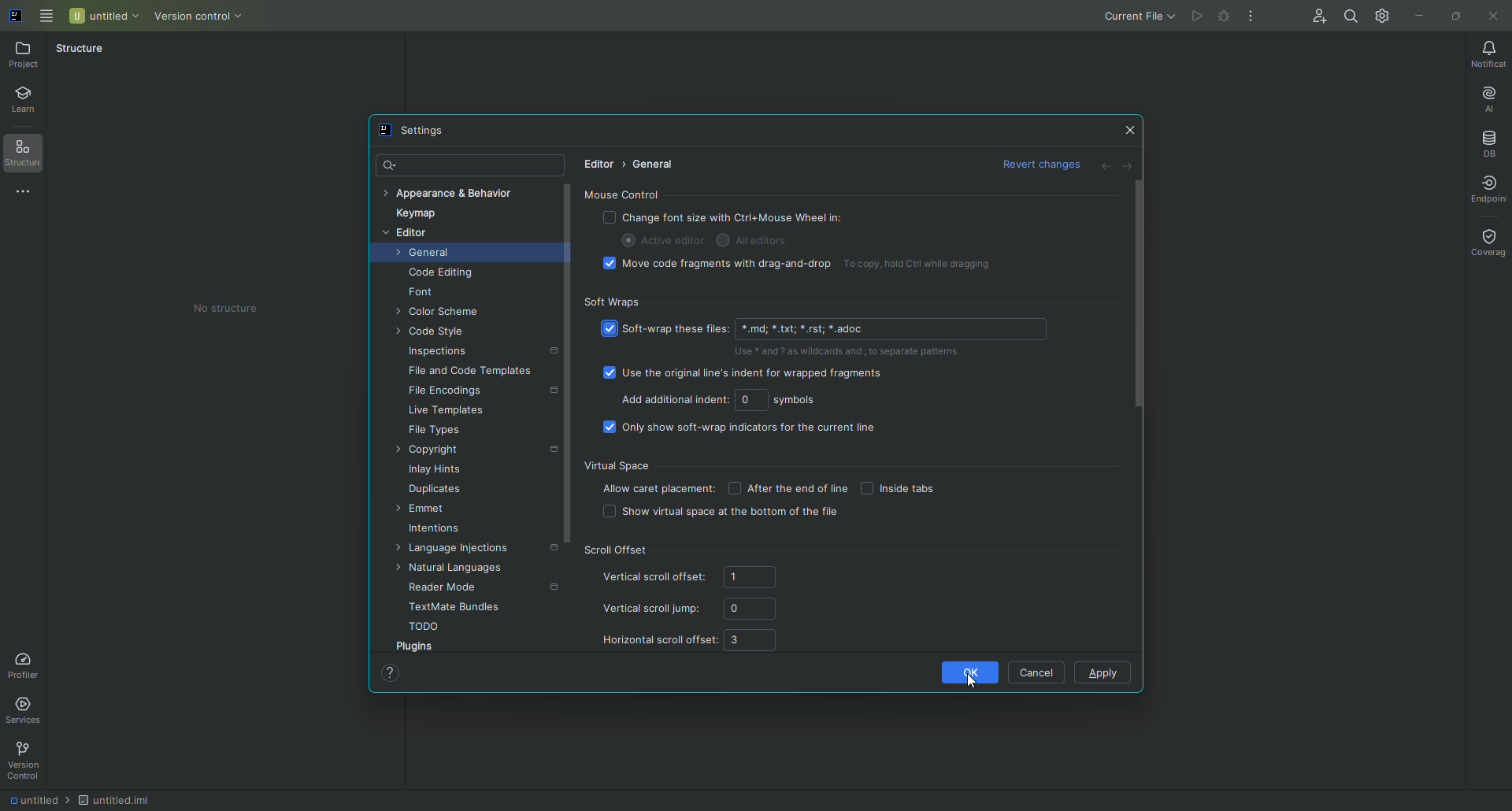 This screenshot has height=811, width=1512. I want to click on Close, so click(1130, 130).